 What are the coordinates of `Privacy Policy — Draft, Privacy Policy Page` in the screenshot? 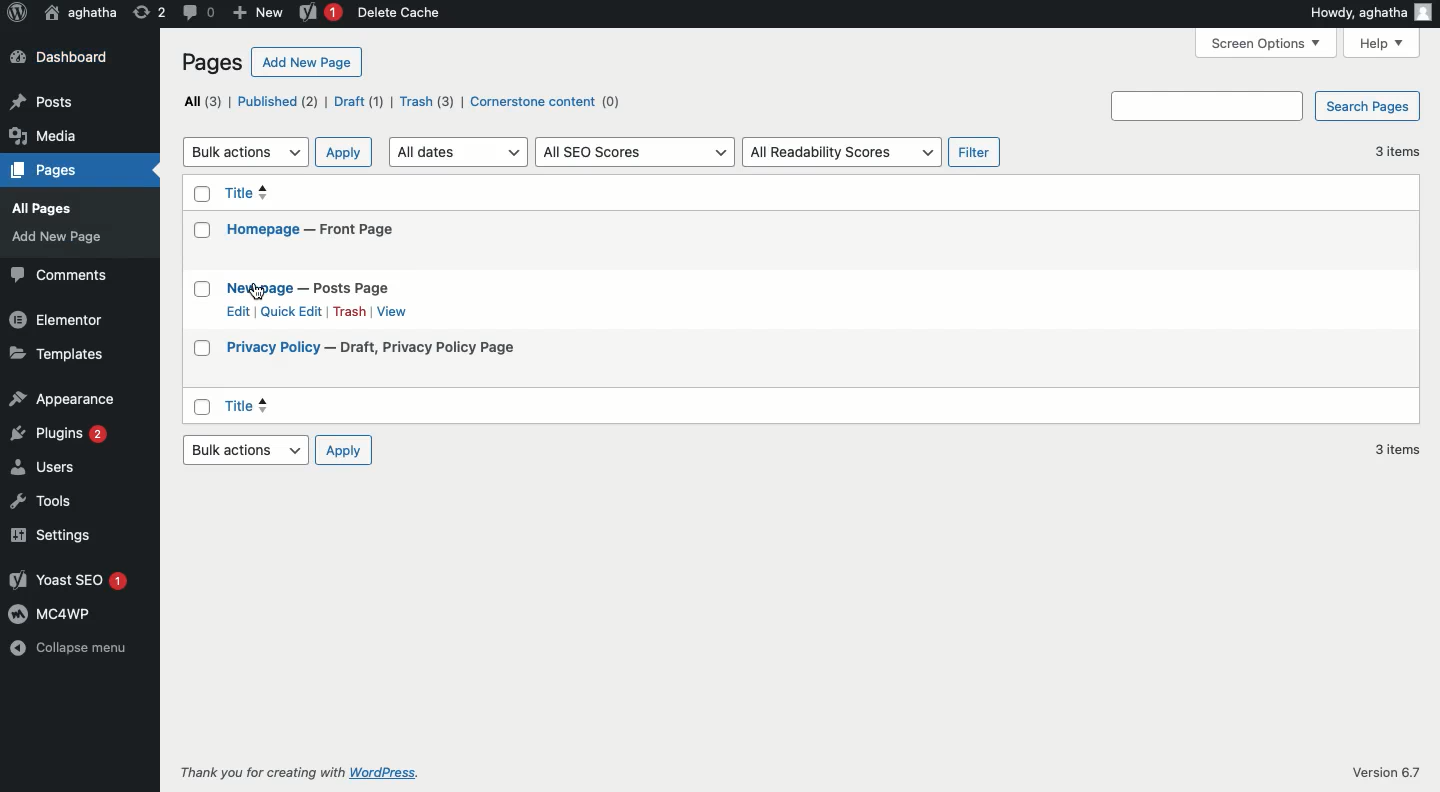 It's located at (373, 347).